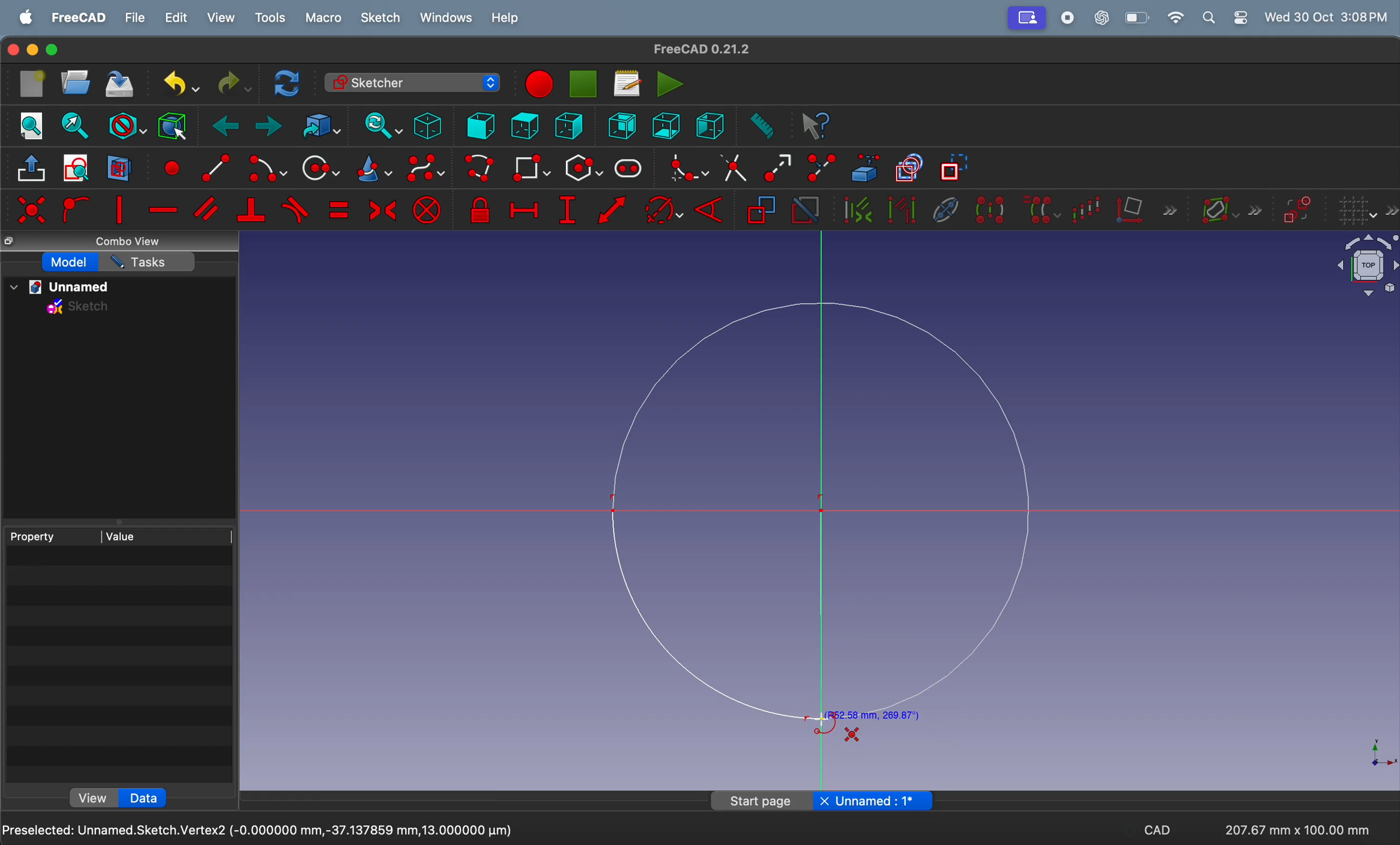 Image resolution: width=1400 pixels, height=845 pixels. I want to click on toggle copy, so click(910, 169).